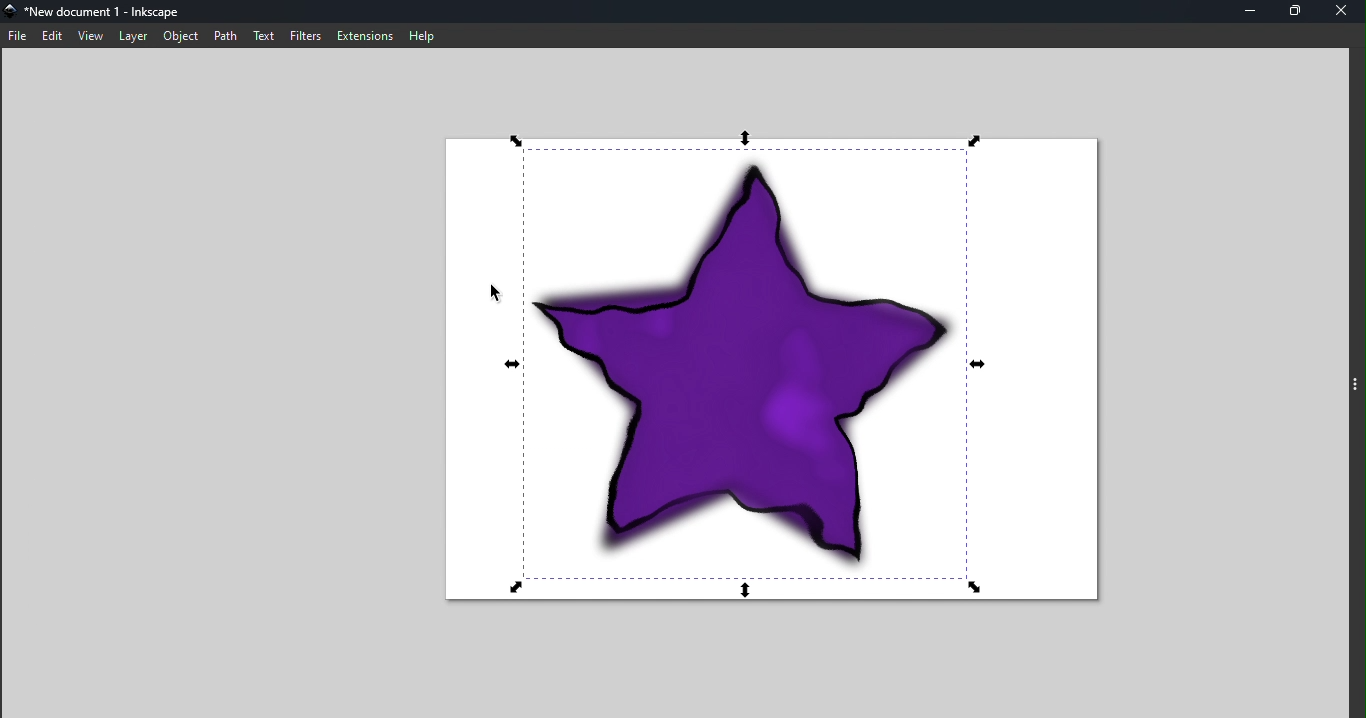 The image size is (1366, 718). I want to click on Maximize, so click(1294, 12).